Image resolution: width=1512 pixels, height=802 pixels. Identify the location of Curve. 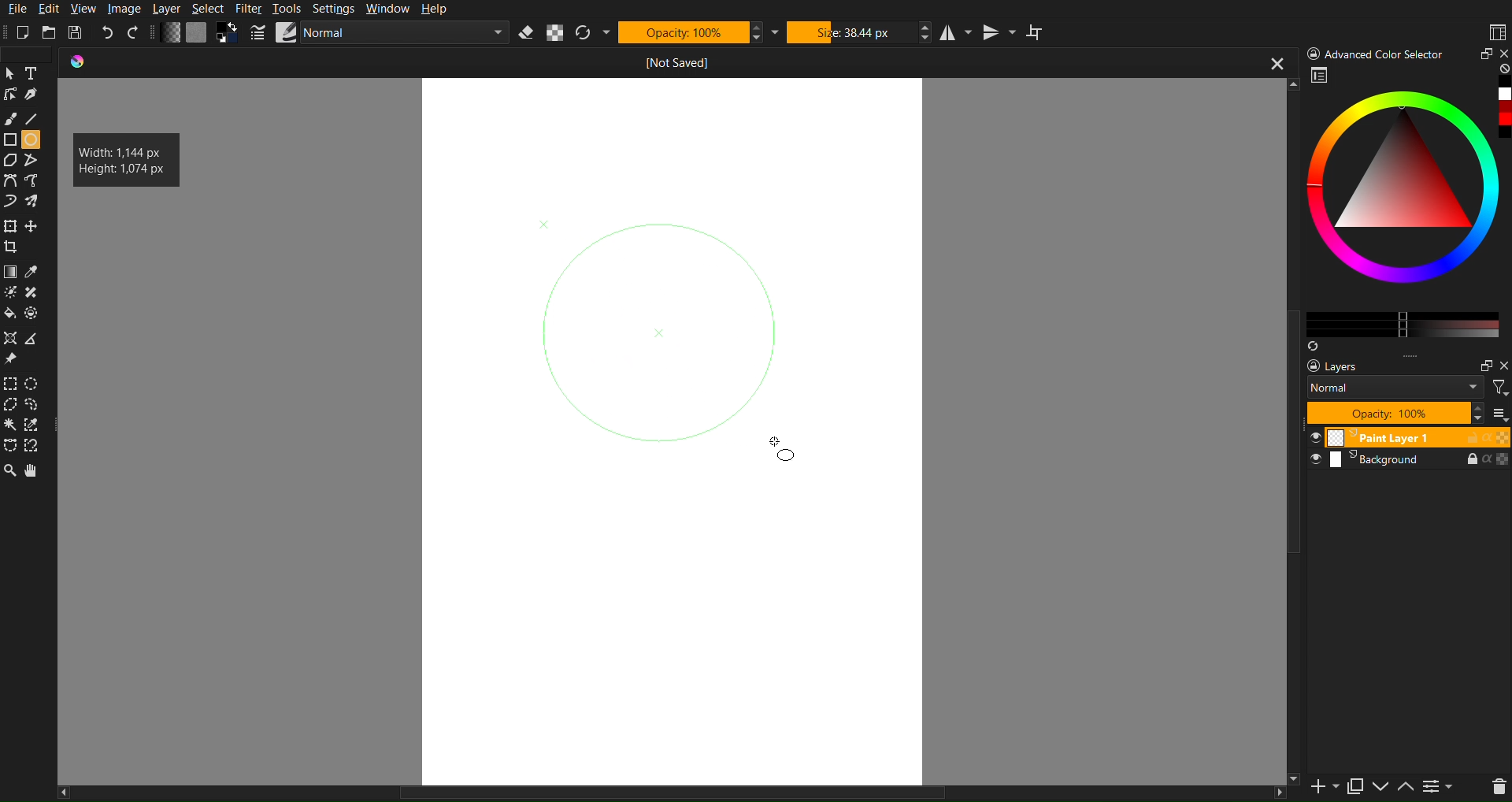
(9, 201).